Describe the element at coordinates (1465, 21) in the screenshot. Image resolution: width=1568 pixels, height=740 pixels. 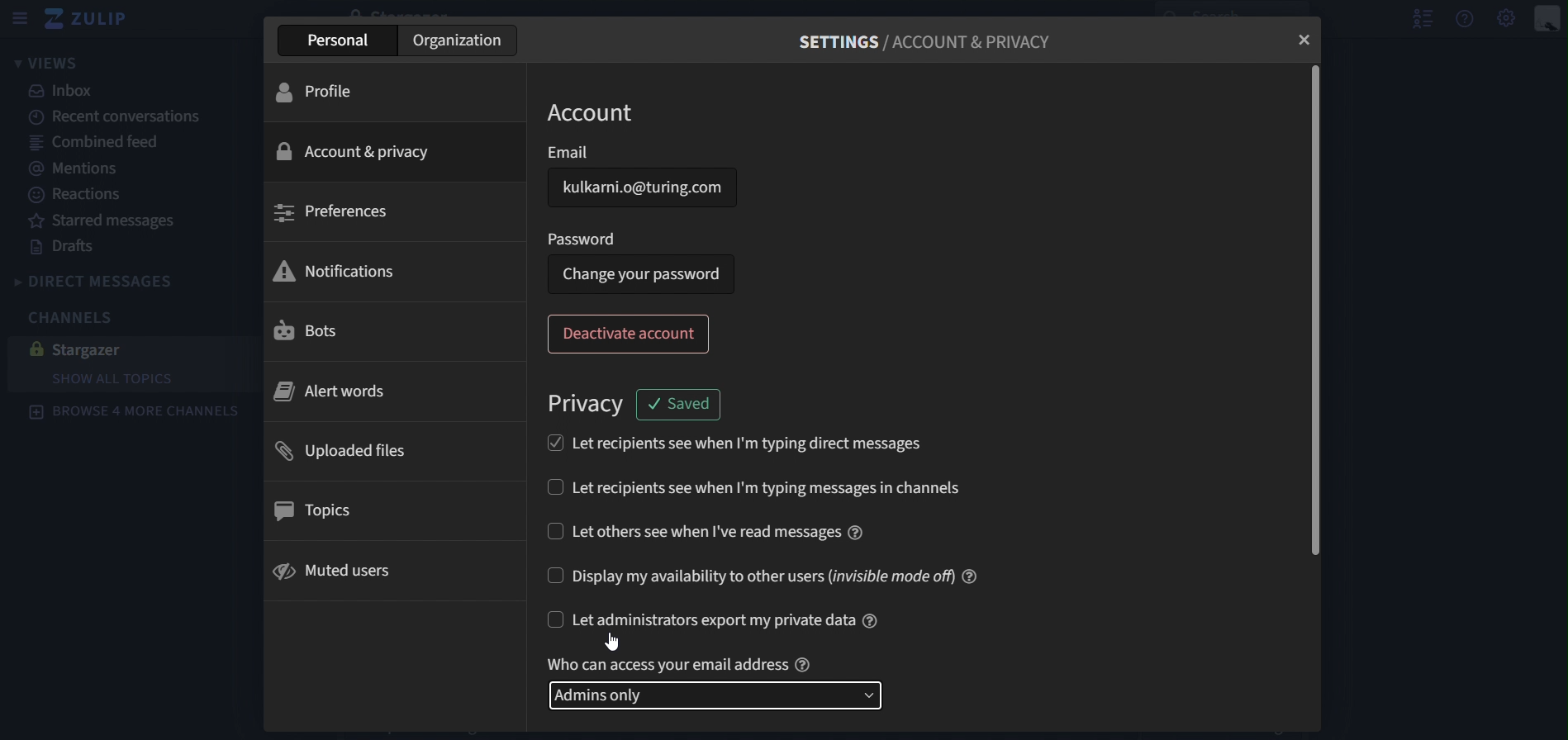
I see `help menu` at that location.